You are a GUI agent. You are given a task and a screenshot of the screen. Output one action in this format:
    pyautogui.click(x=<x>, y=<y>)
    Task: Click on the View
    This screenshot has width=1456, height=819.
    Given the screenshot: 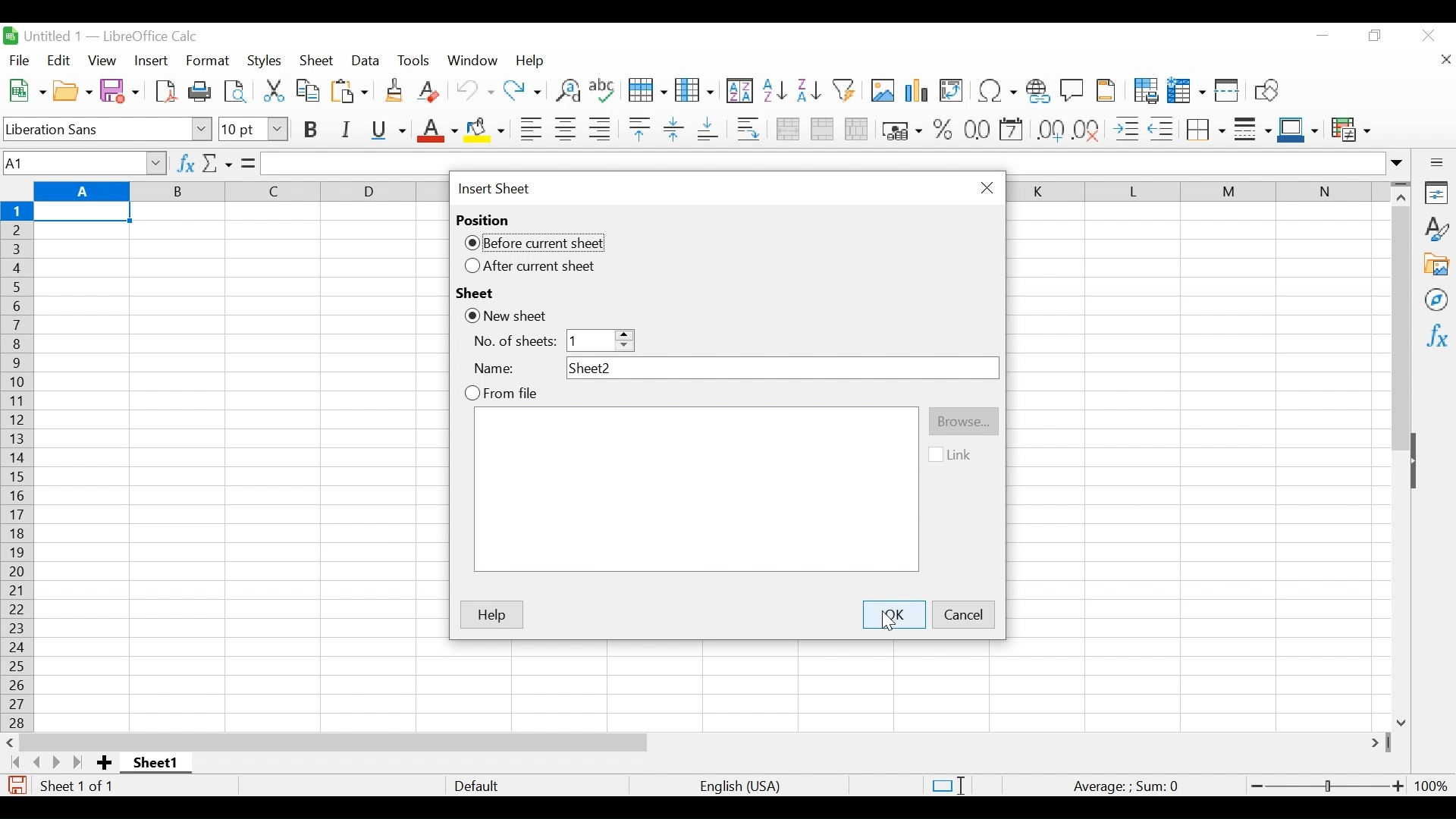 What is the action you would take?
    pyautogui.click(x=102, y=60)
    